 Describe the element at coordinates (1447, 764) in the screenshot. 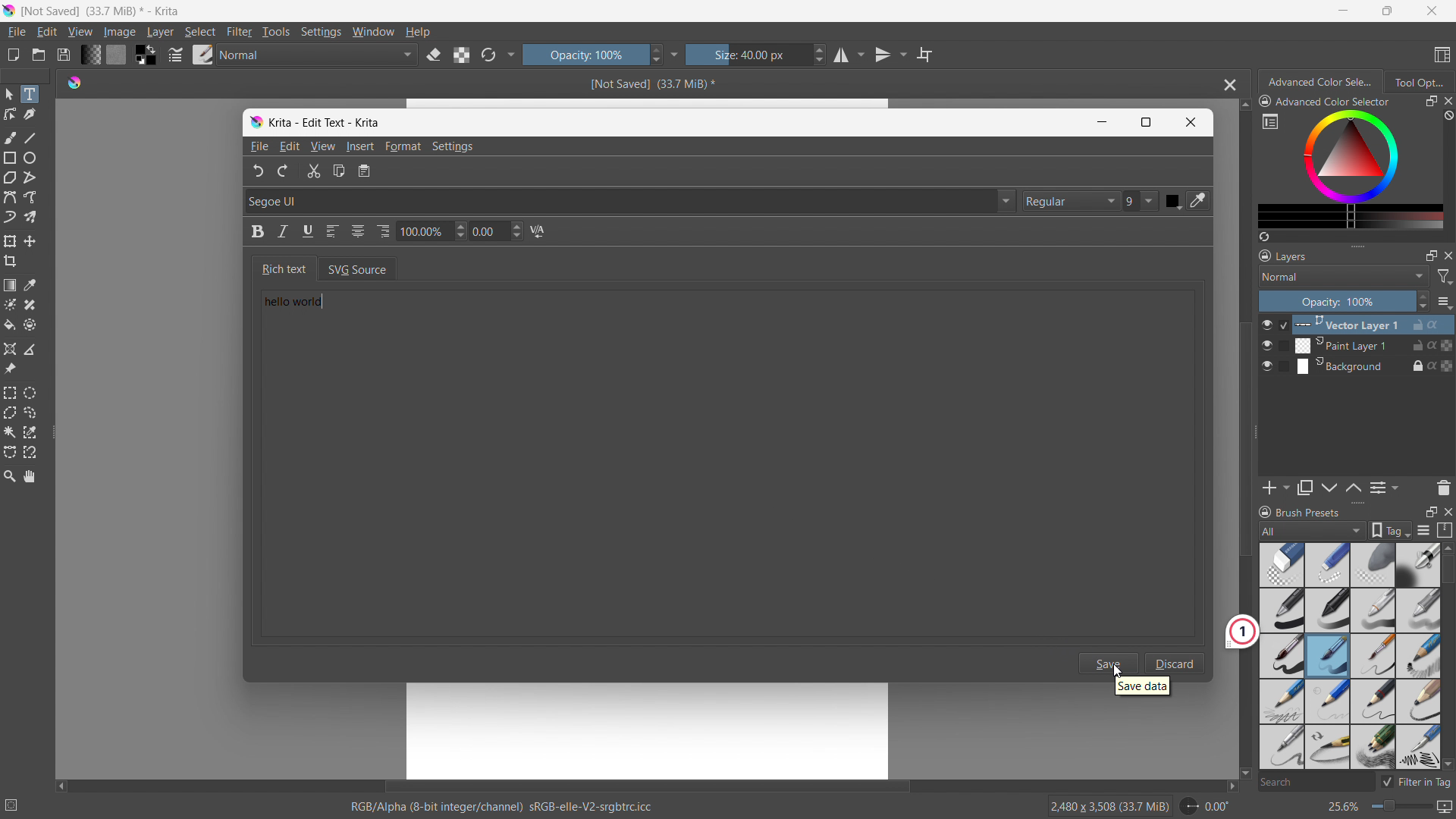

I see `scroll down` at that location.